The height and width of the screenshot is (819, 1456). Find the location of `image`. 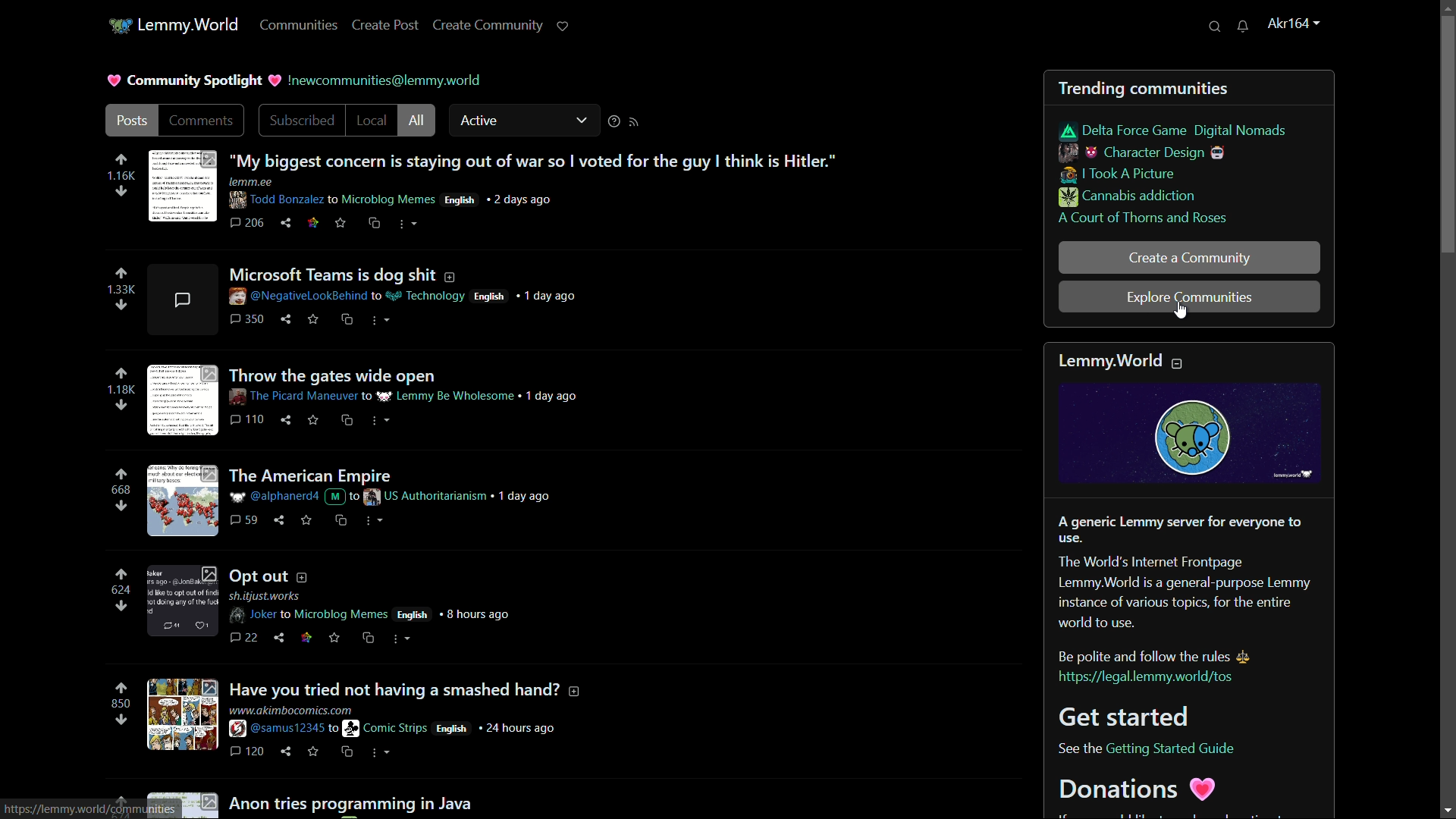

image is located at coordinates (181, 599).